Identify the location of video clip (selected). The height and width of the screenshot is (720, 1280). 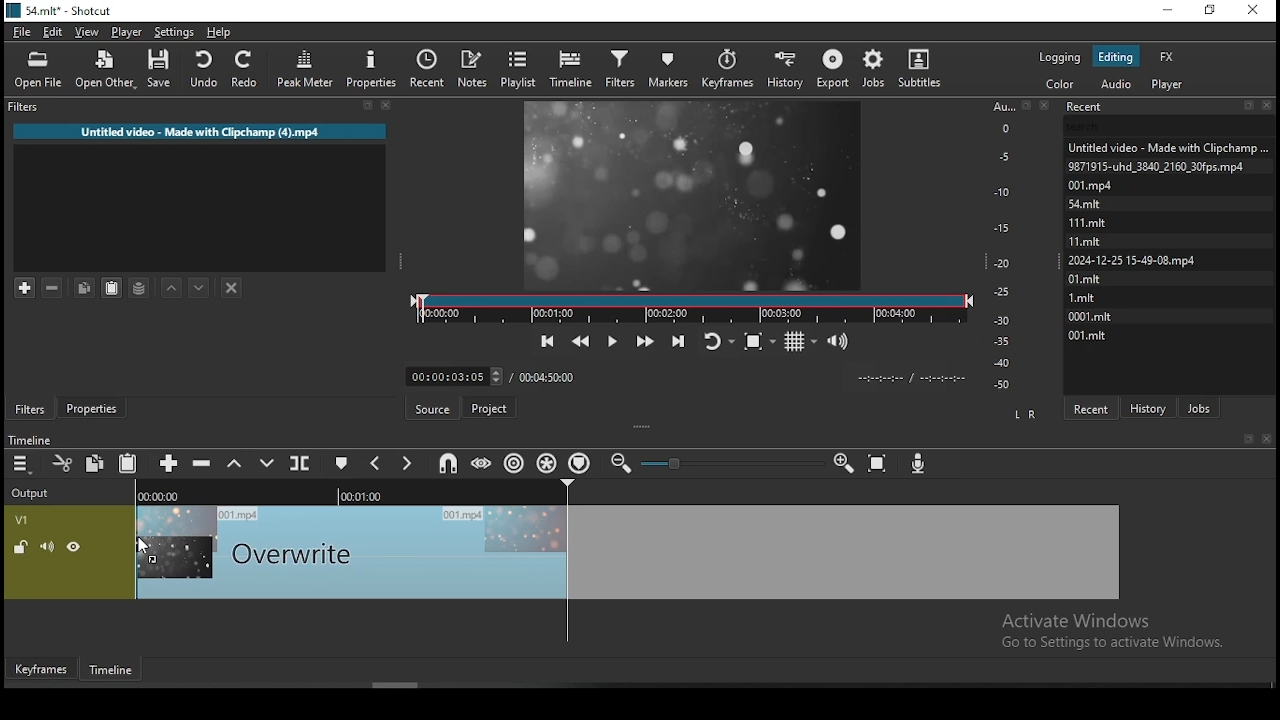
(629, 552).